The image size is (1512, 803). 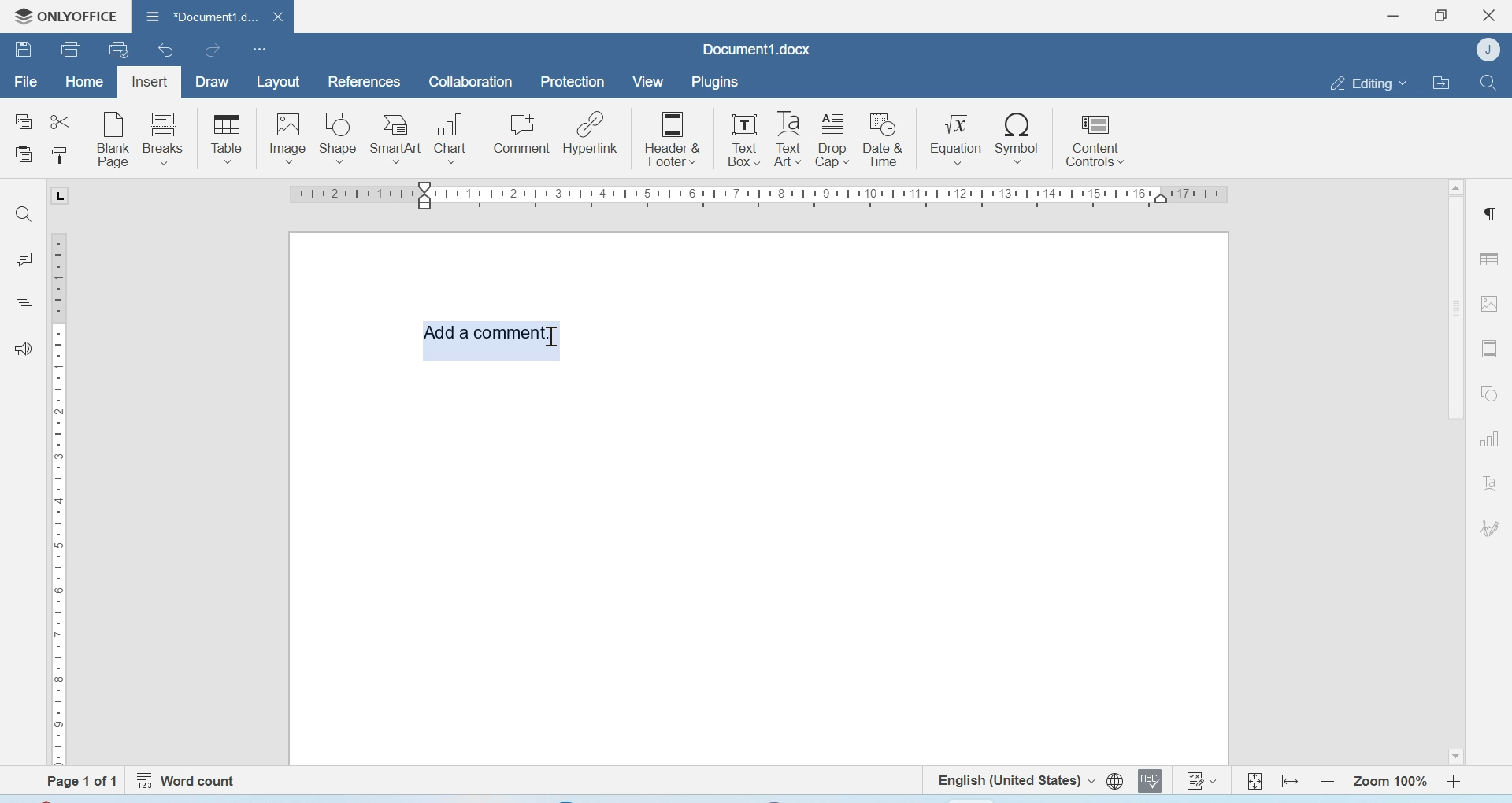 I want to click on Redo, so click(x=211, y=50).